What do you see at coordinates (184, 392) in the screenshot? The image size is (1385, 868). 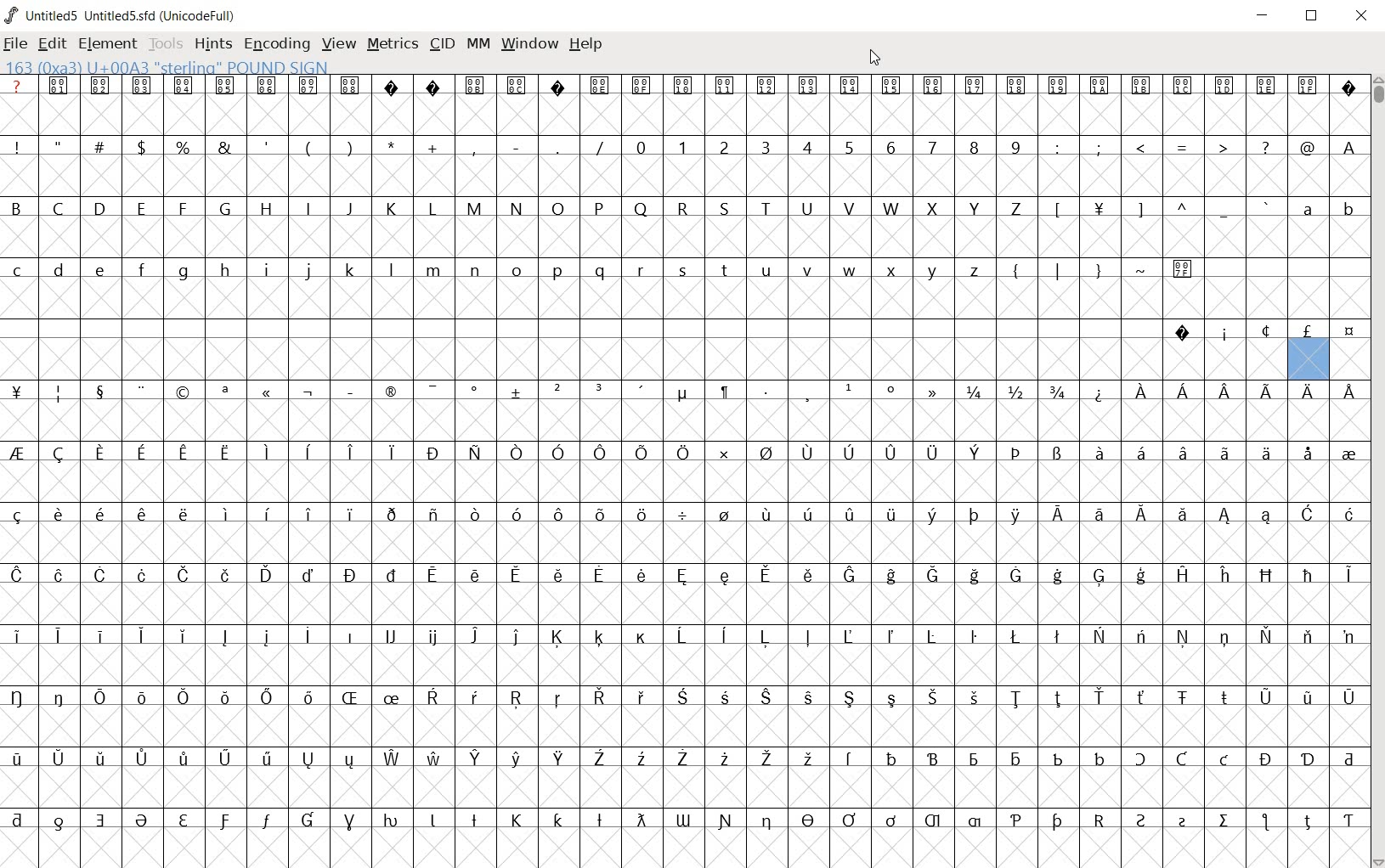 I see `Symbol` at bounding box center [184, 392].